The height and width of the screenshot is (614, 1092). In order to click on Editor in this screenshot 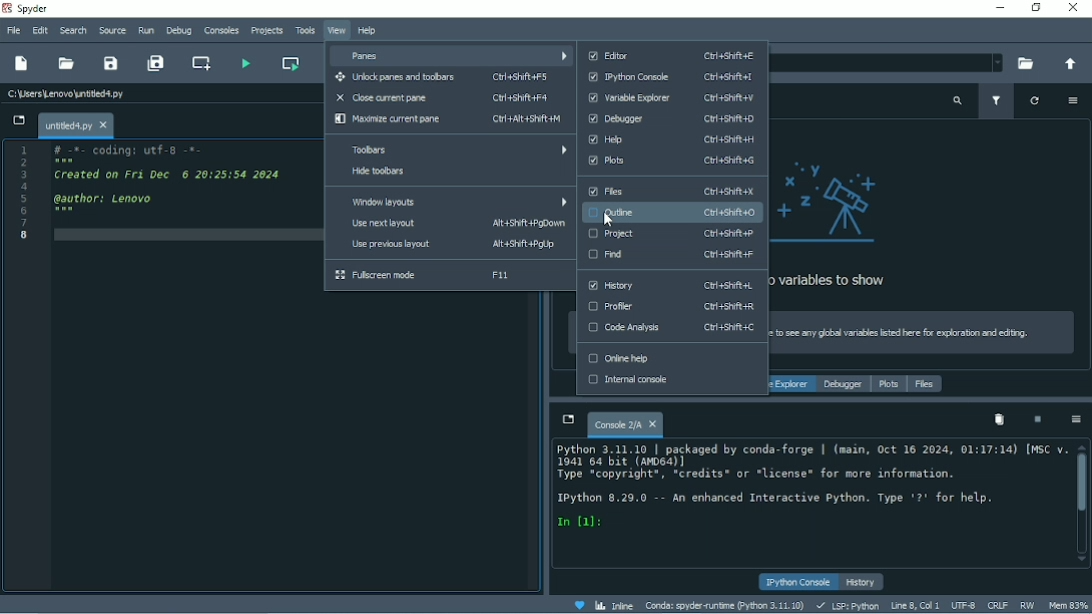, I will do `click(671, 55)`.